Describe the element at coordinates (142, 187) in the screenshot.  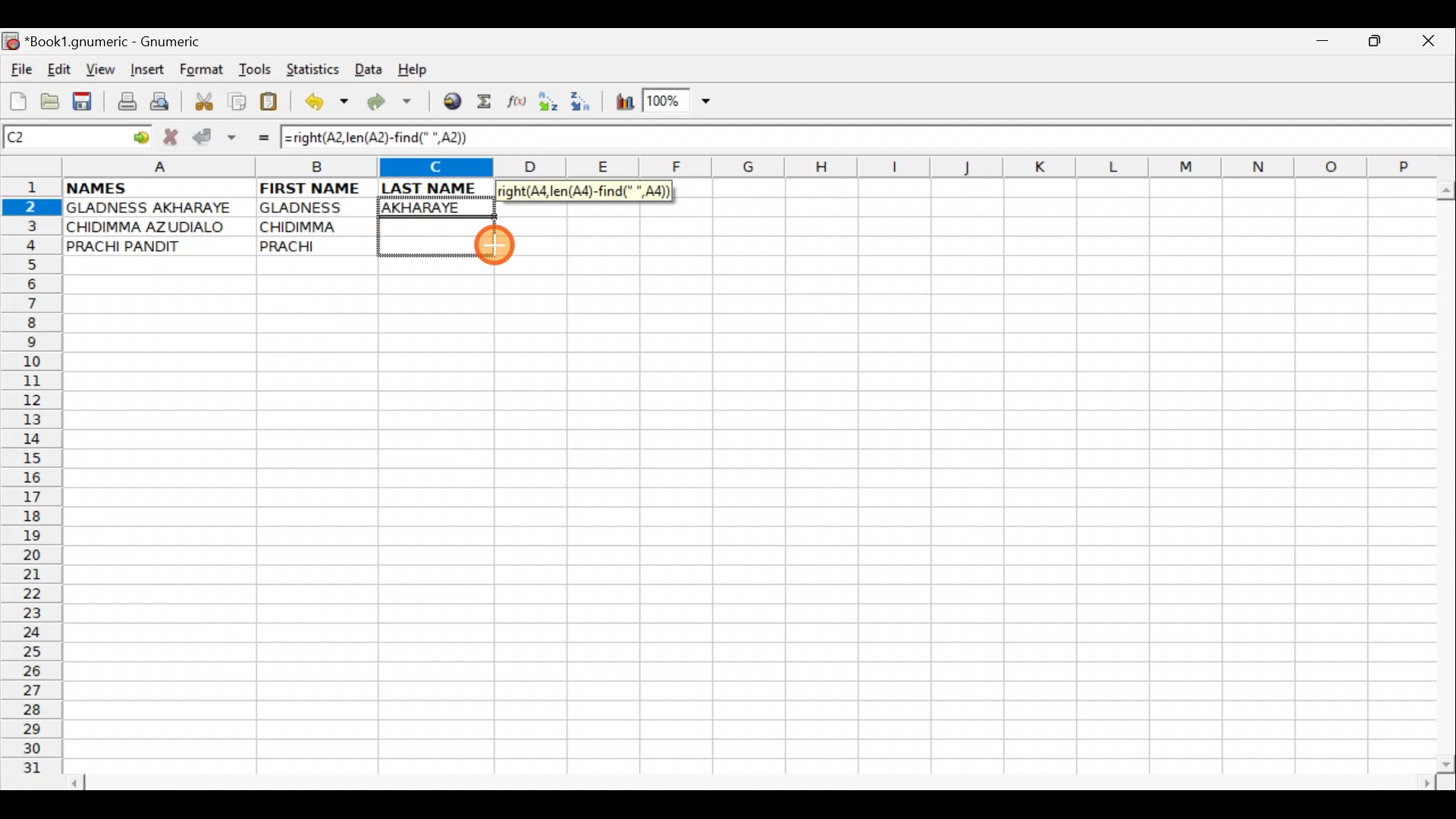
I see `NAMES` at that location.